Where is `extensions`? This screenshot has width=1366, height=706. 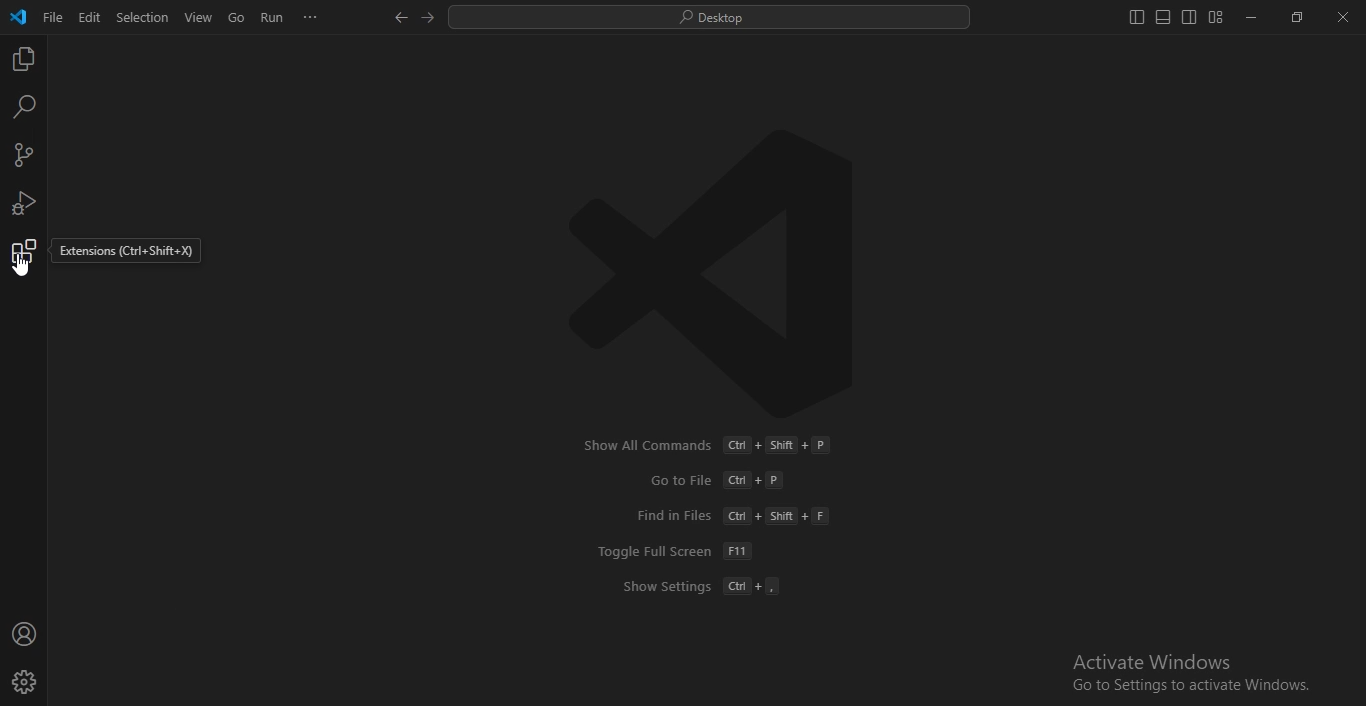
extensions is located at coordinates (24, 257).